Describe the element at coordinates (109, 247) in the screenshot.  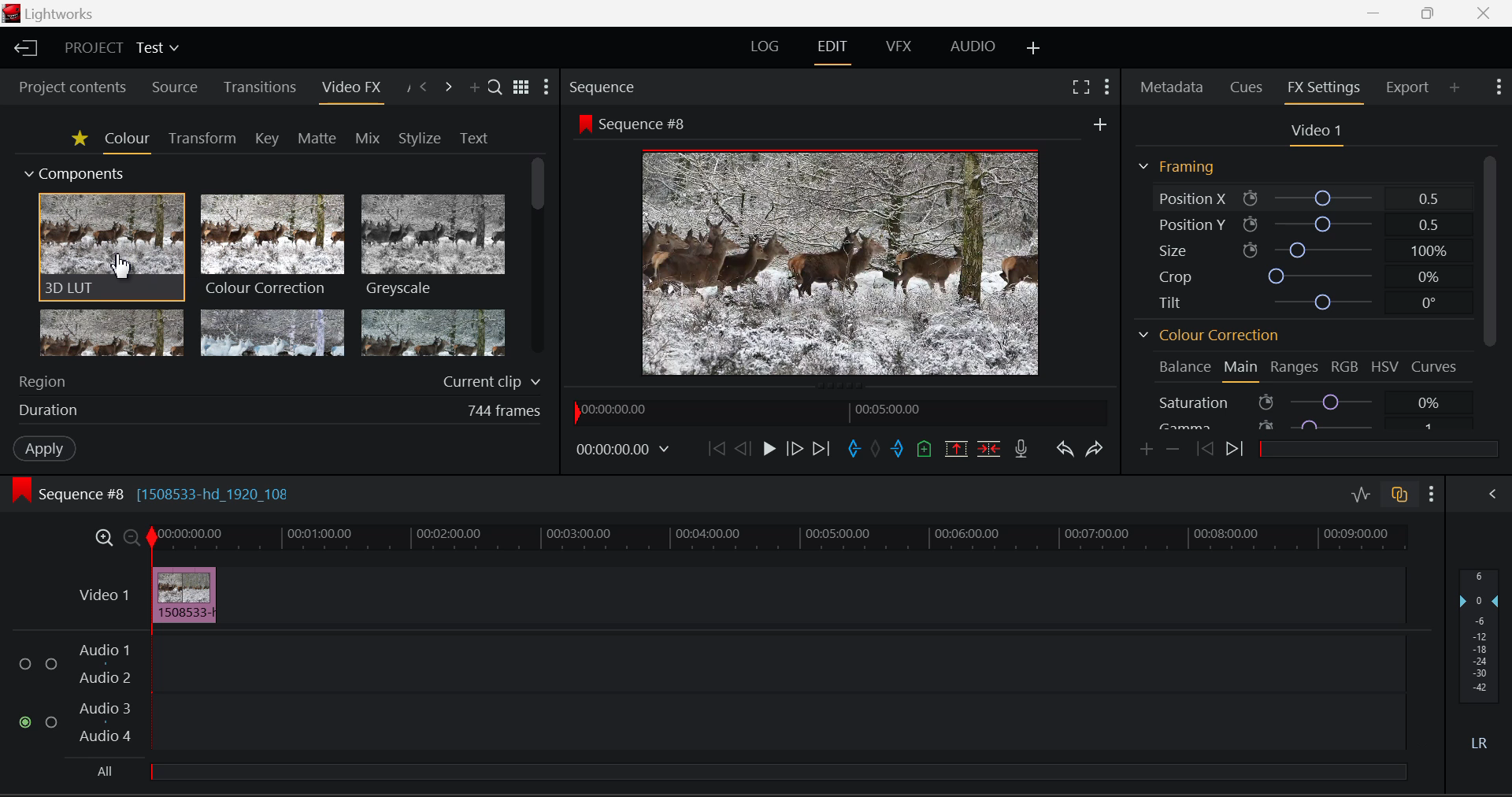
I see `3D LUT` at that location.